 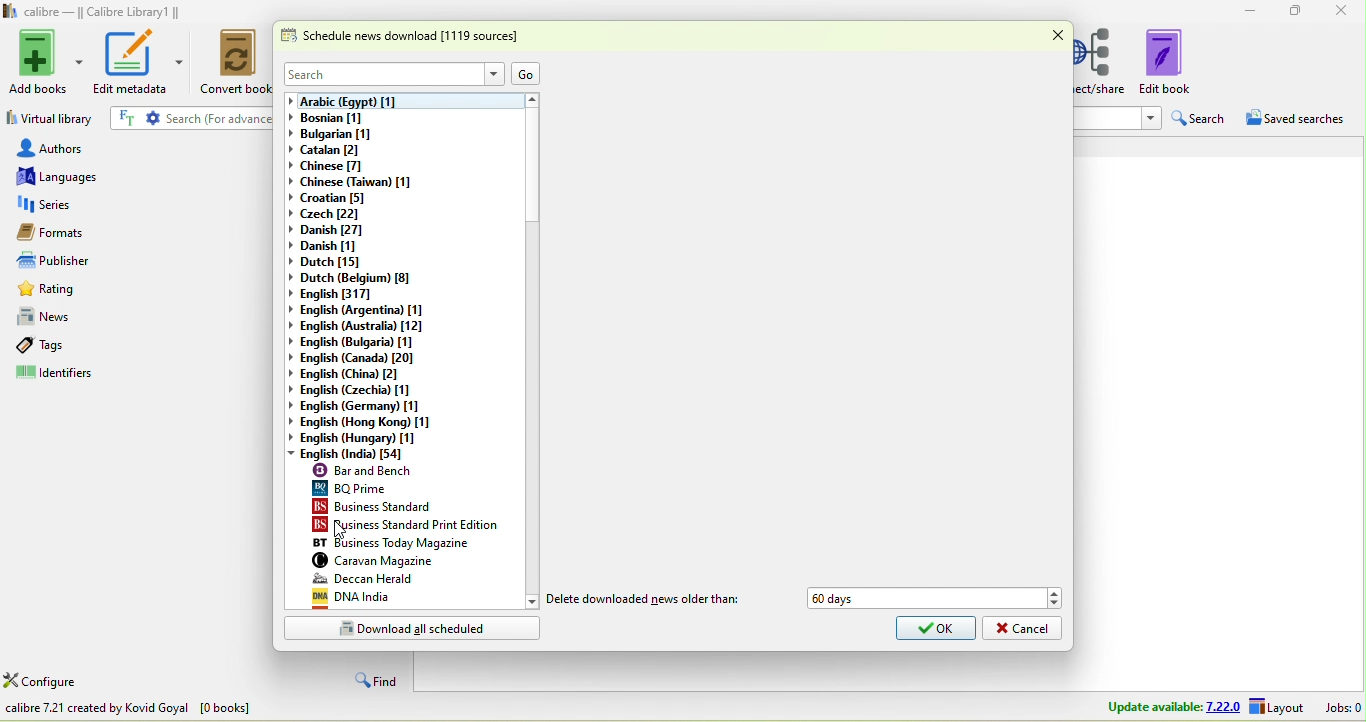 What do you see at coordinates (234, 63) in the screenshot?
I see `convert books` at bounding box center [234, 63].